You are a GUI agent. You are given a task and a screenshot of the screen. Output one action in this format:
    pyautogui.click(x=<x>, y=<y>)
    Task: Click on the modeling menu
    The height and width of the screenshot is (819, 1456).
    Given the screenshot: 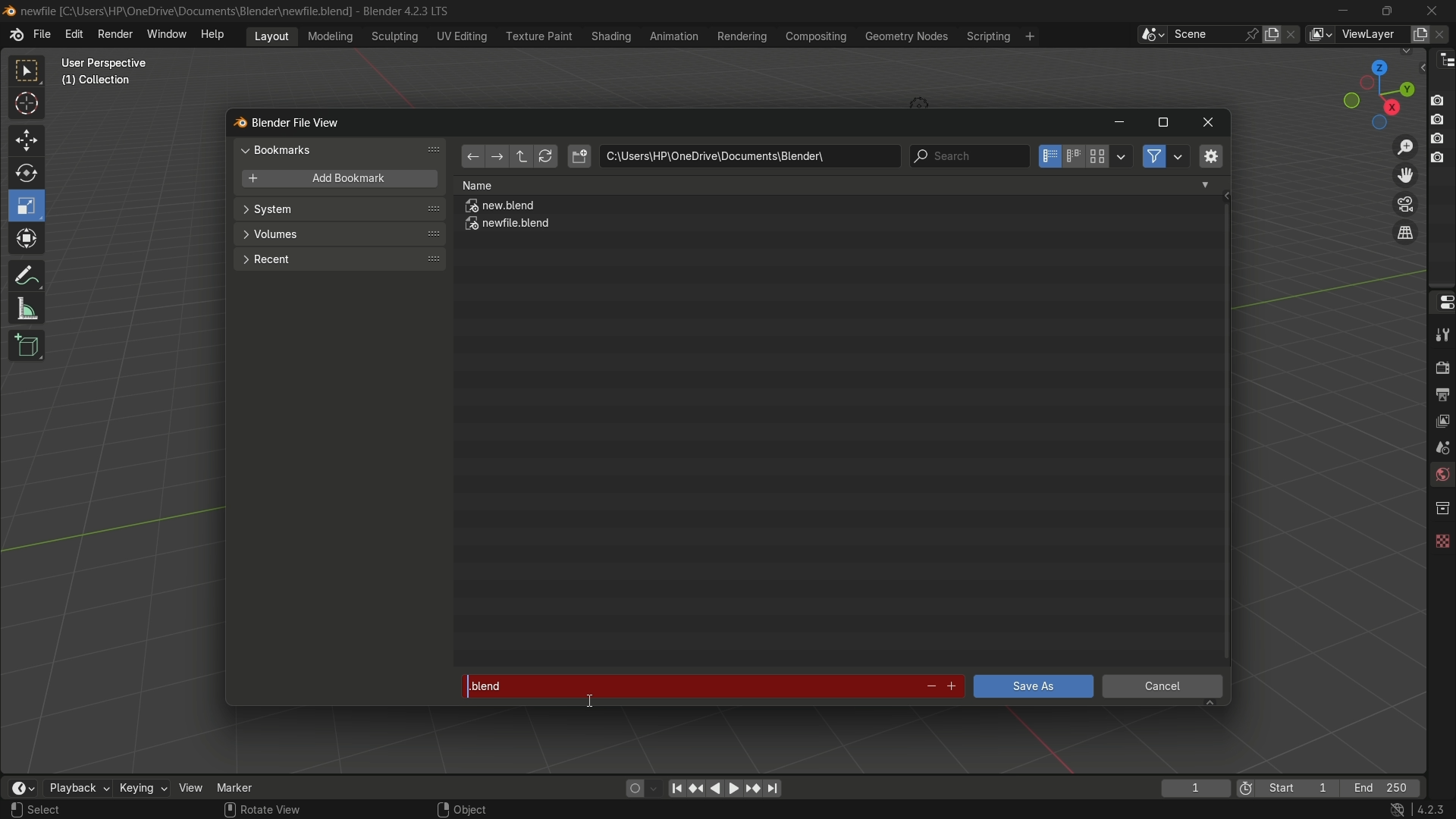 What is the action you would take?
    pyautogui.click(x=331, y=35)
    